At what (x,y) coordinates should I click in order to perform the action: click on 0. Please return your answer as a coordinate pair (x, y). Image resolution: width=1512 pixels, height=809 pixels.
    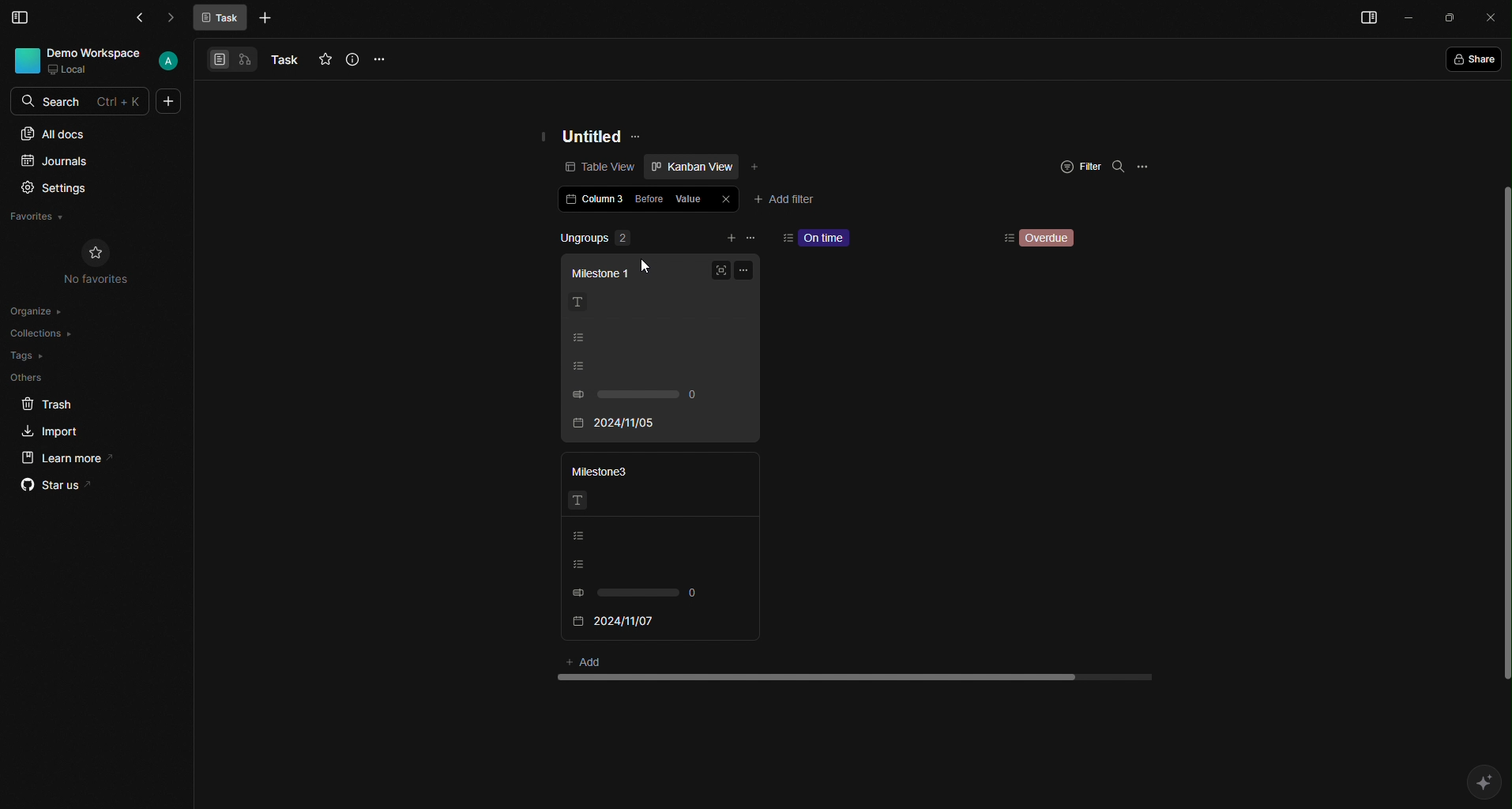
    Looking at the image, I should click on (634, 593).